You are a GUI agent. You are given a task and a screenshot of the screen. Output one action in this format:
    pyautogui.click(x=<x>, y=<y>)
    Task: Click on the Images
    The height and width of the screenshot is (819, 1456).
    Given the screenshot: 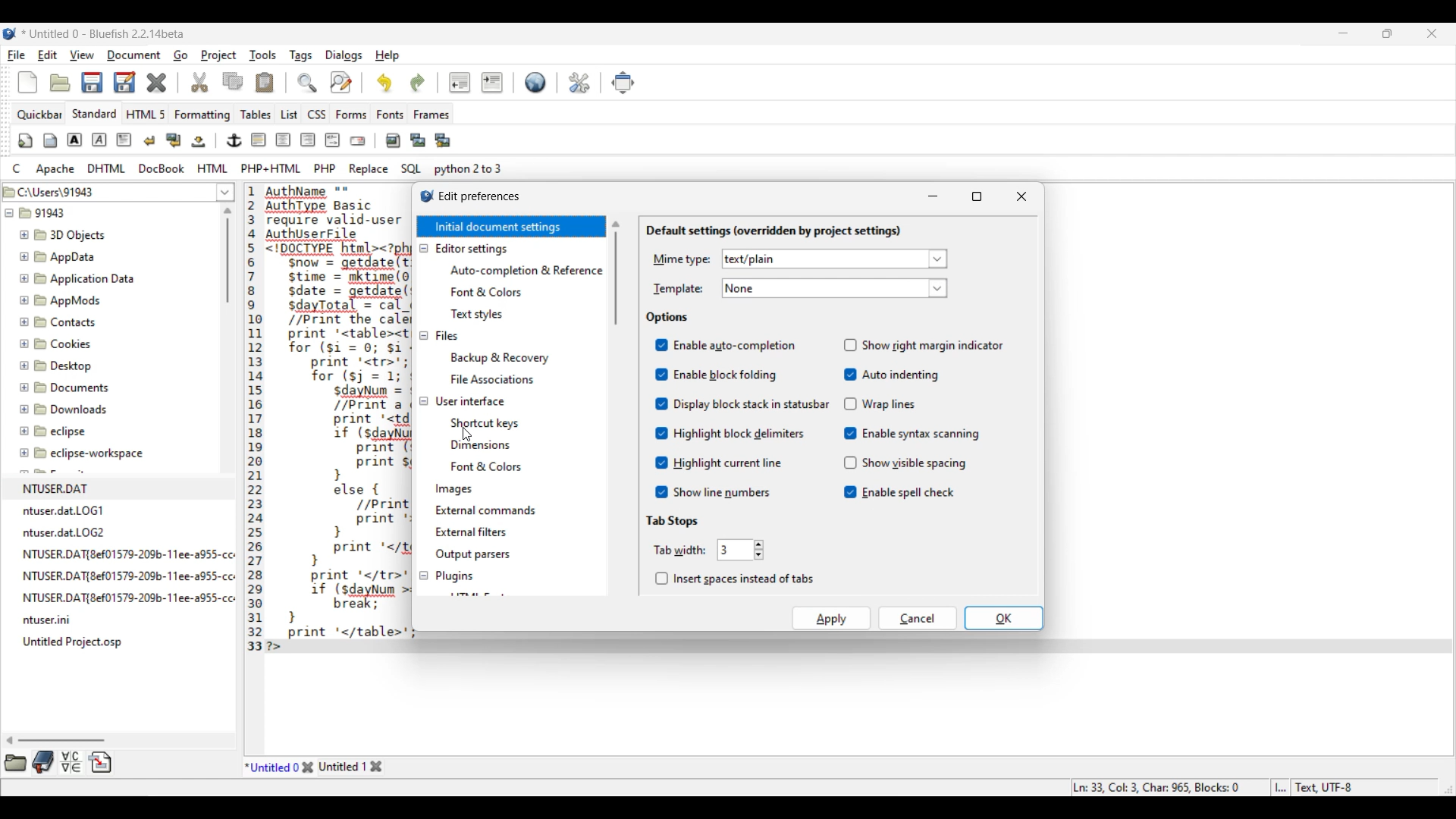 What is the action you would take?
    pyautogui.click(x=456, y=489)
    